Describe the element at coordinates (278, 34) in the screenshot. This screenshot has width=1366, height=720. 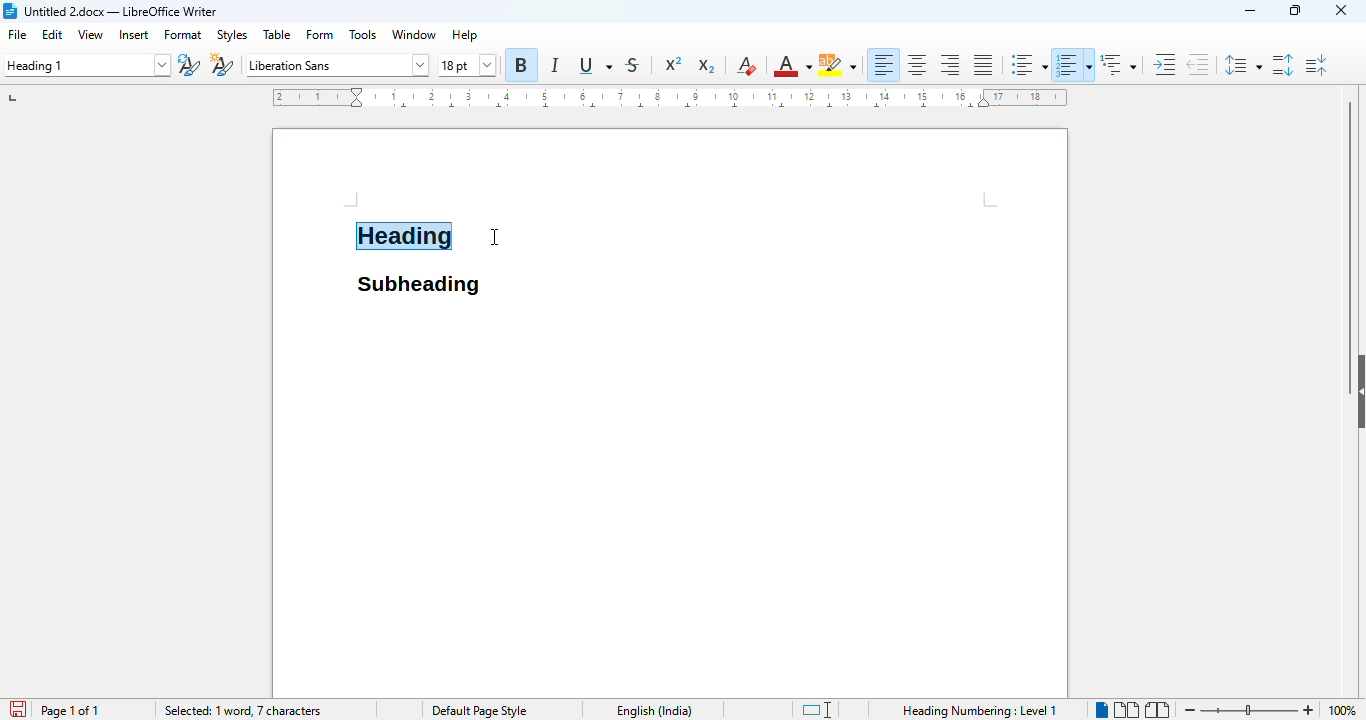
I see `table` at that location.